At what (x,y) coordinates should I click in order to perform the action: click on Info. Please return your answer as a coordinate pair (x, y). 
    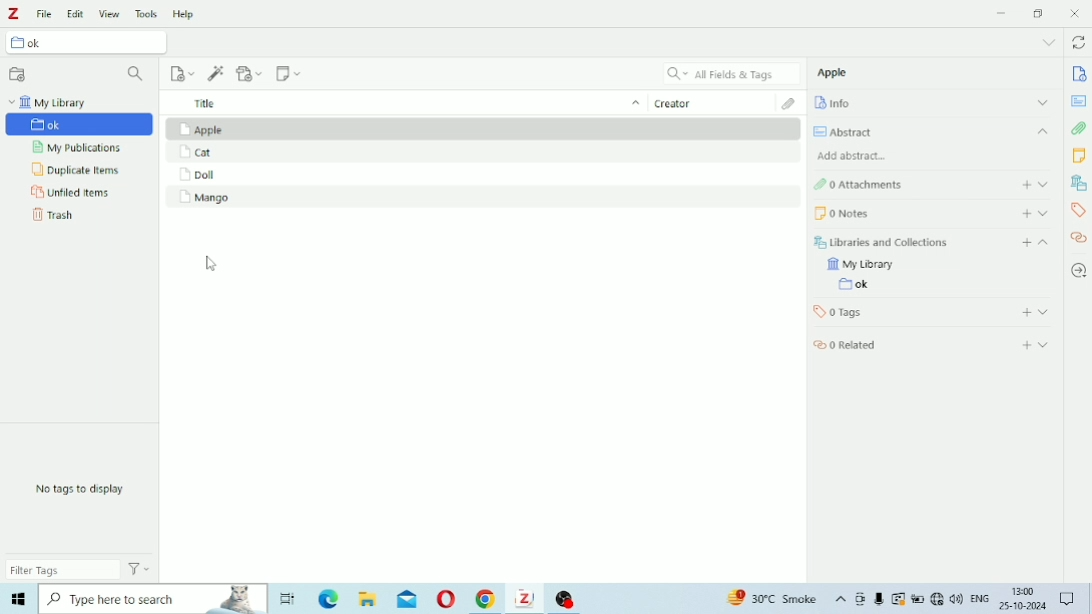
    Looking at the image, I should click on (931, 103).